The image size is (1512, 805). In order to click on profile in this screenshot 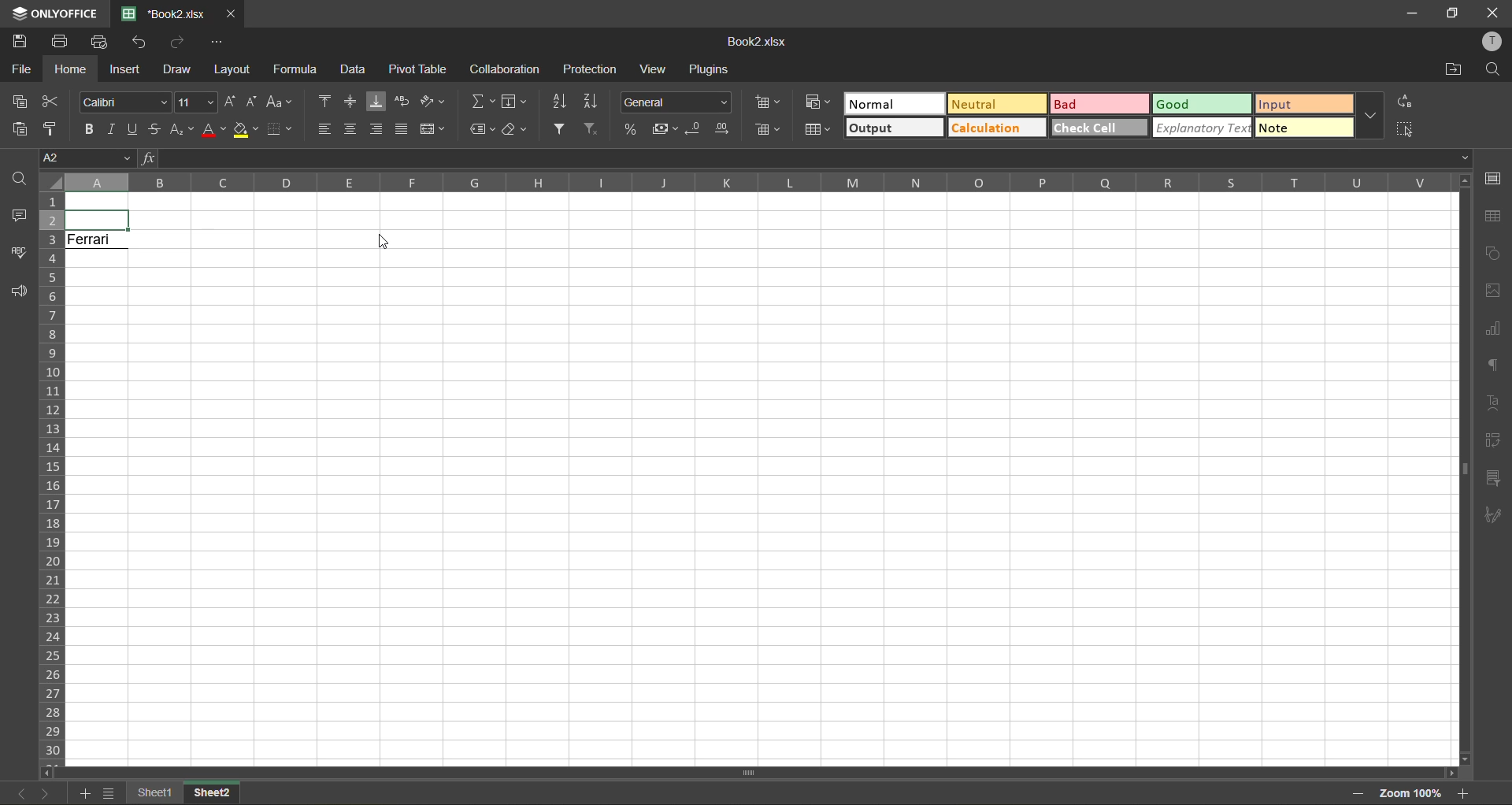, I will do `click(1494, 43)`.